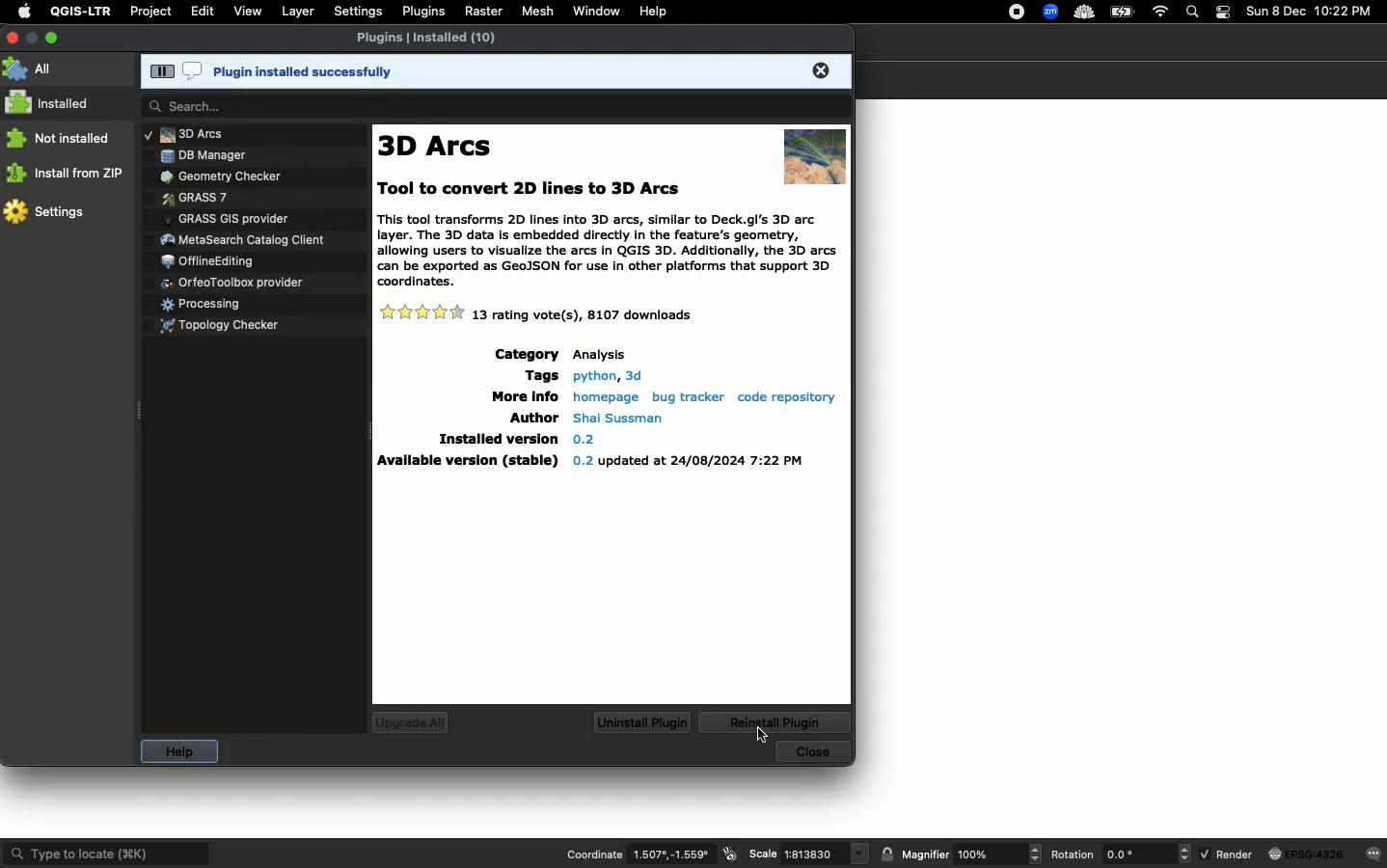 Image resolution: width=1387 pixels, height=868 pixels. Describe the element at coordinates (619, 418) in the screenshot. I see `author` at that location.